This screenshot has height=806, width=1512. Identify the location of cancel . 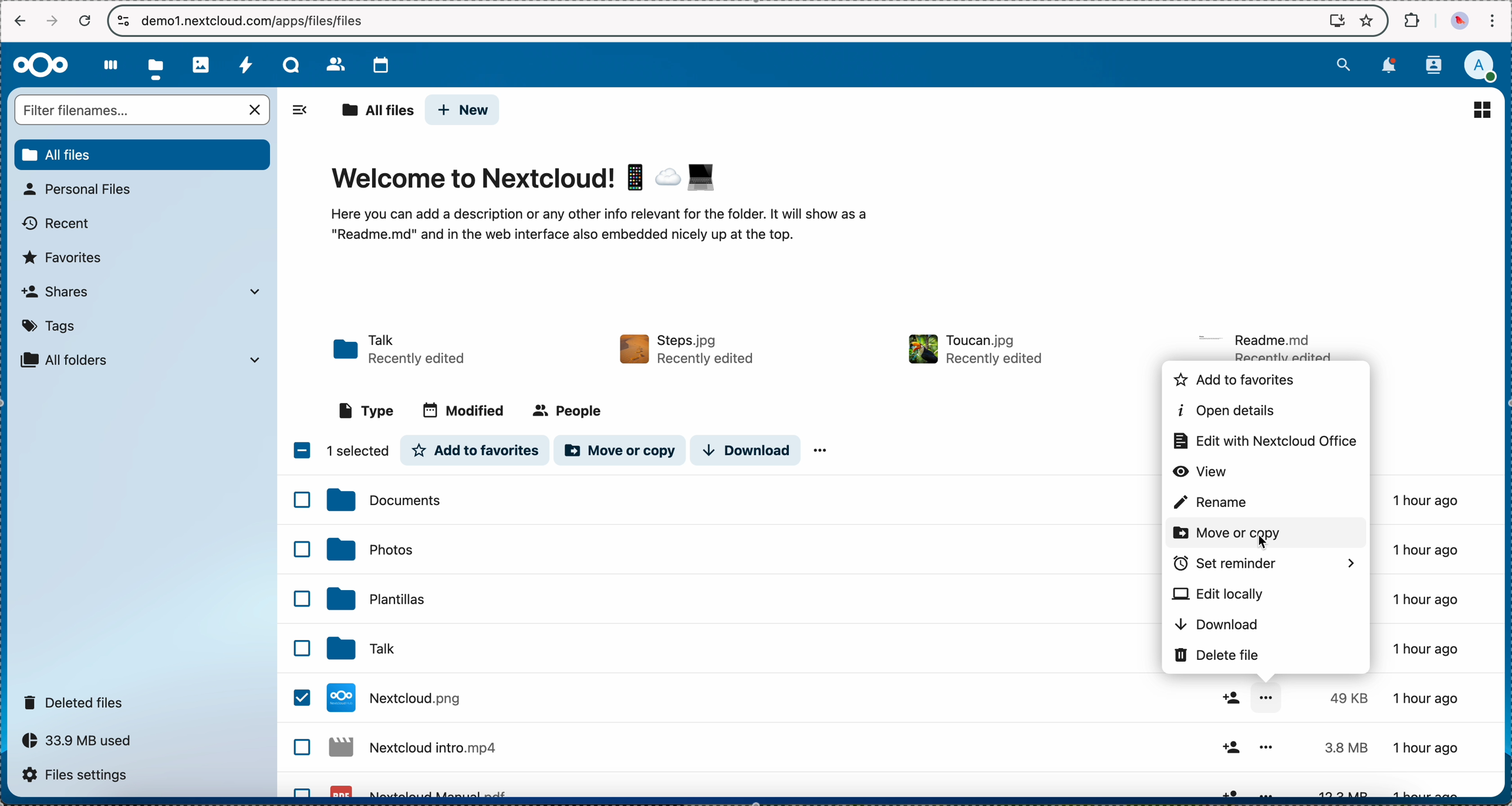
(85, 21).